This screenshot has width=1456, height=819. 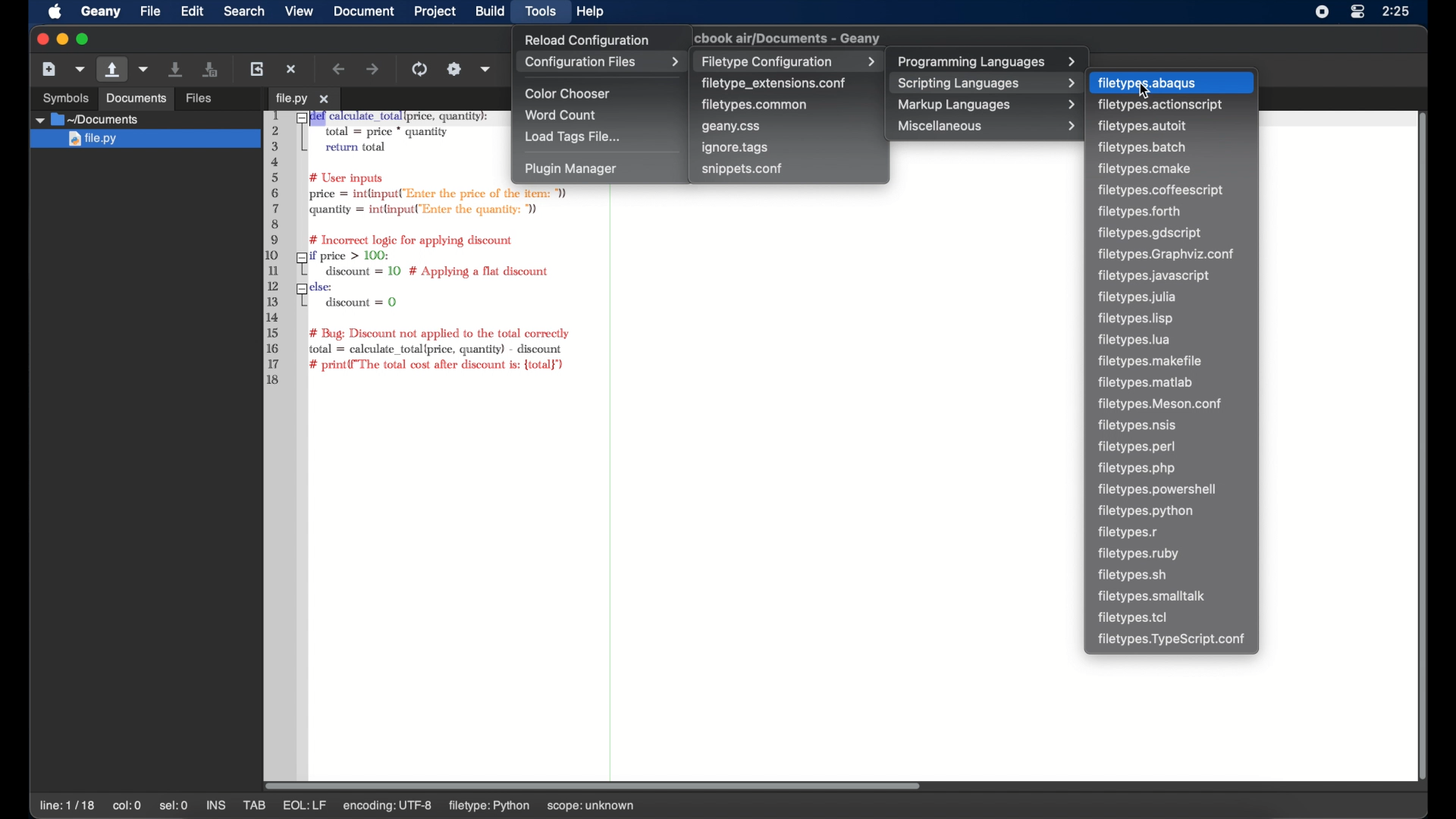 I want to click on mod, so click(x=297, y=805).